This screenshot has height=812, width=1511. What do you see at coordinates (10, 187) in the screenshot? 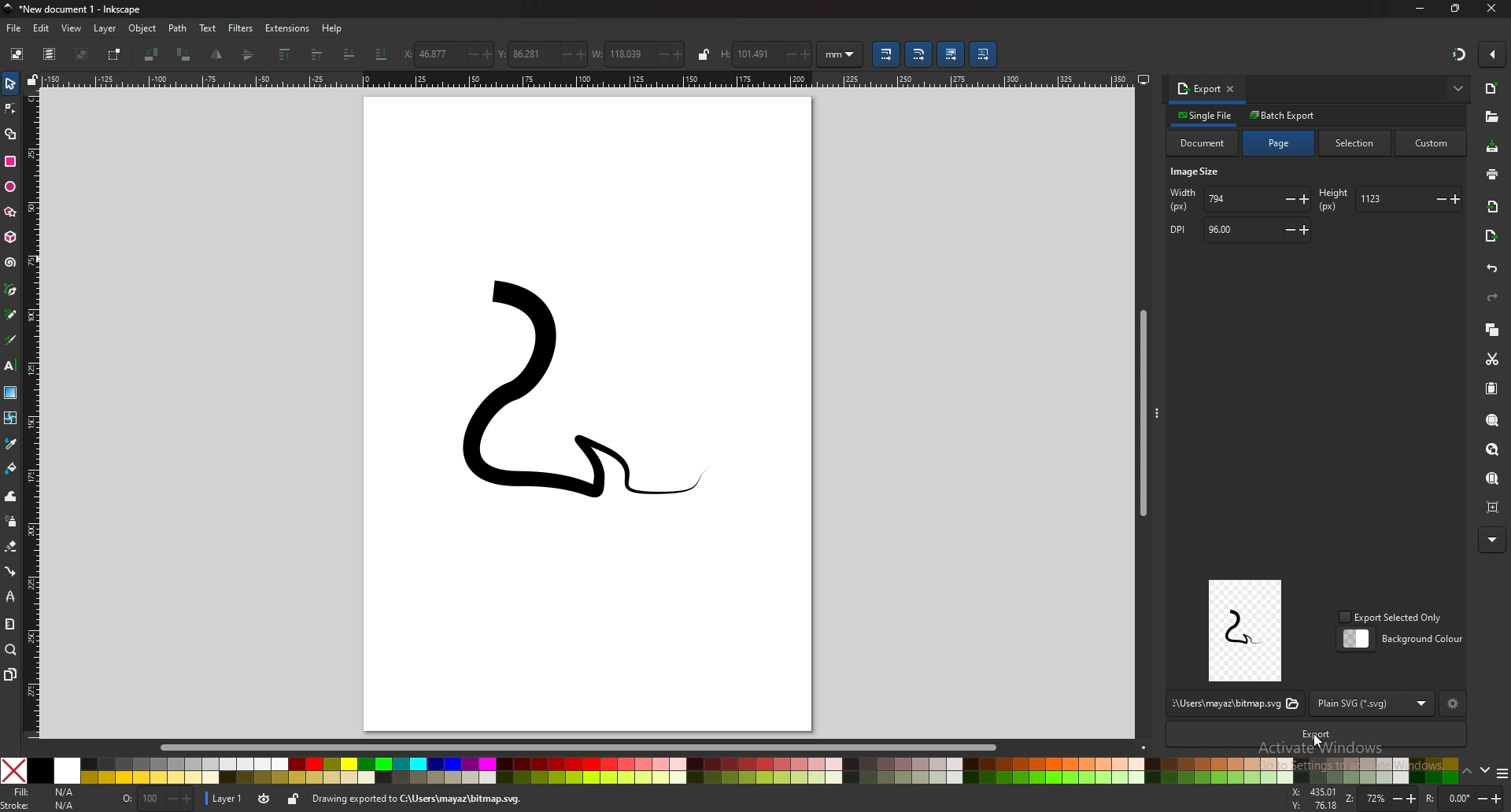
I see `ellipse` at bounding box center [10, 187].